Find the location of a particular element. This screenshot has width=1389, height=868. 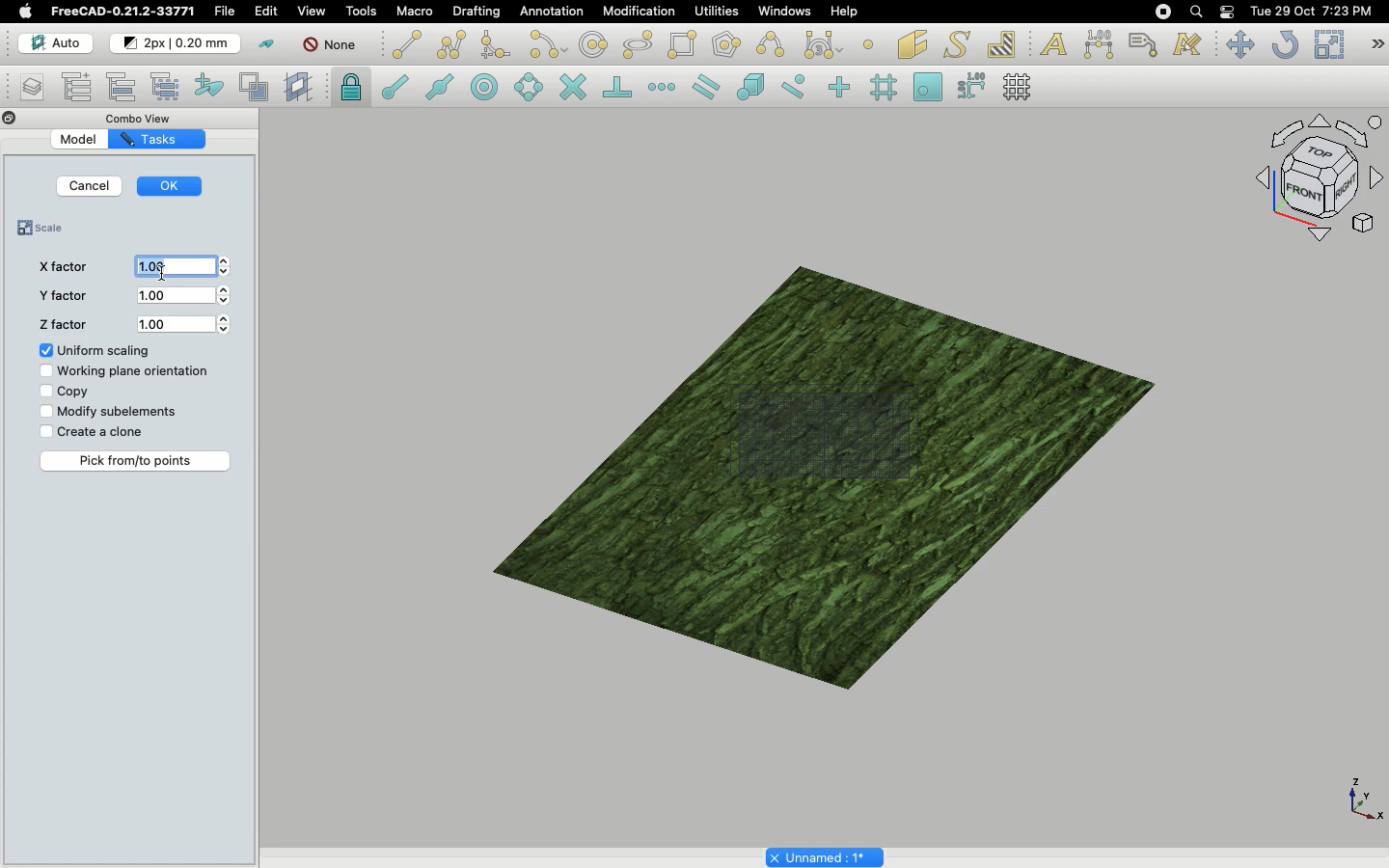

Pick from/to points is located at coordinates (137, 461).